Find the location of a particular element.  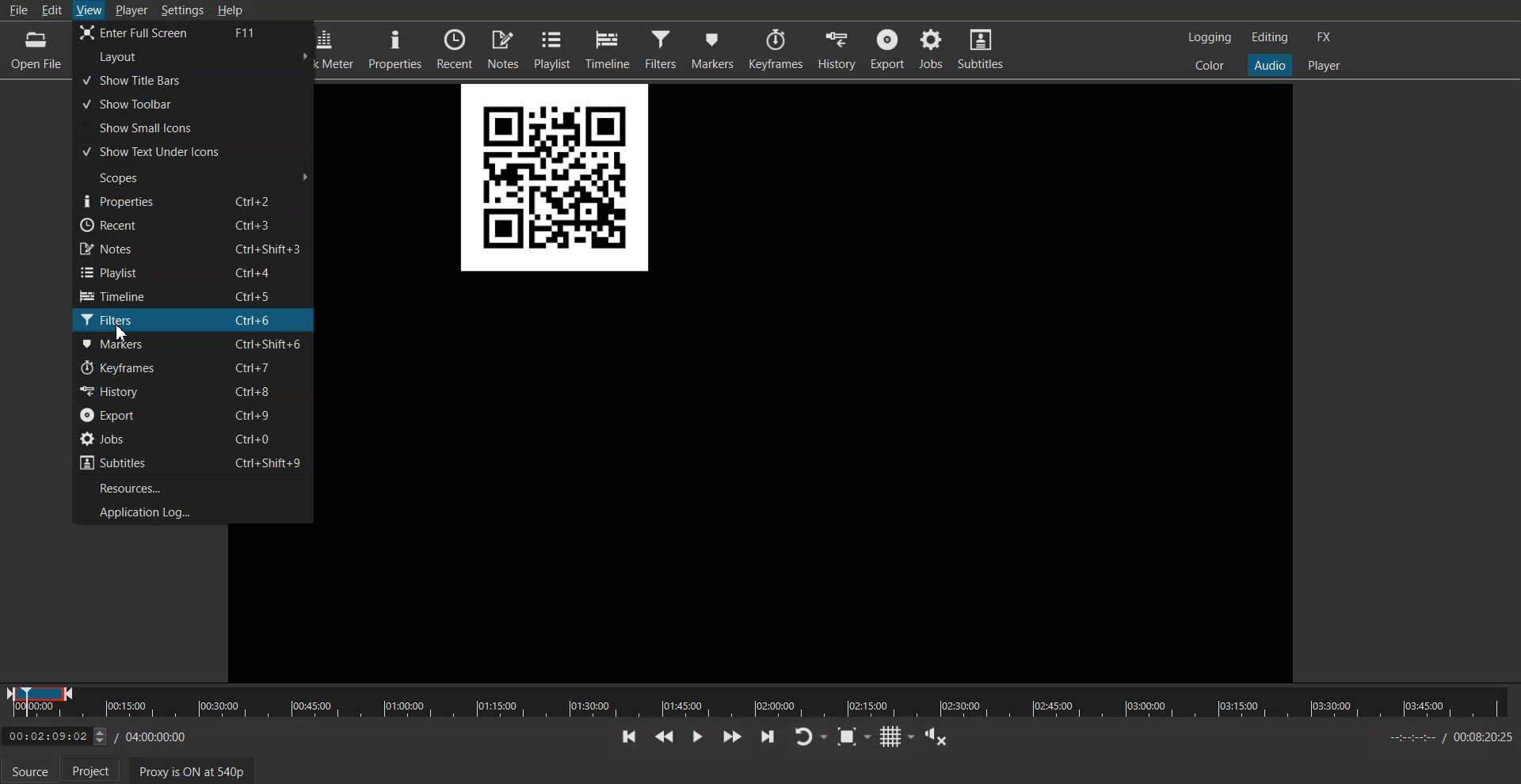

Show Title Bars is located at coordinates (193, 80).